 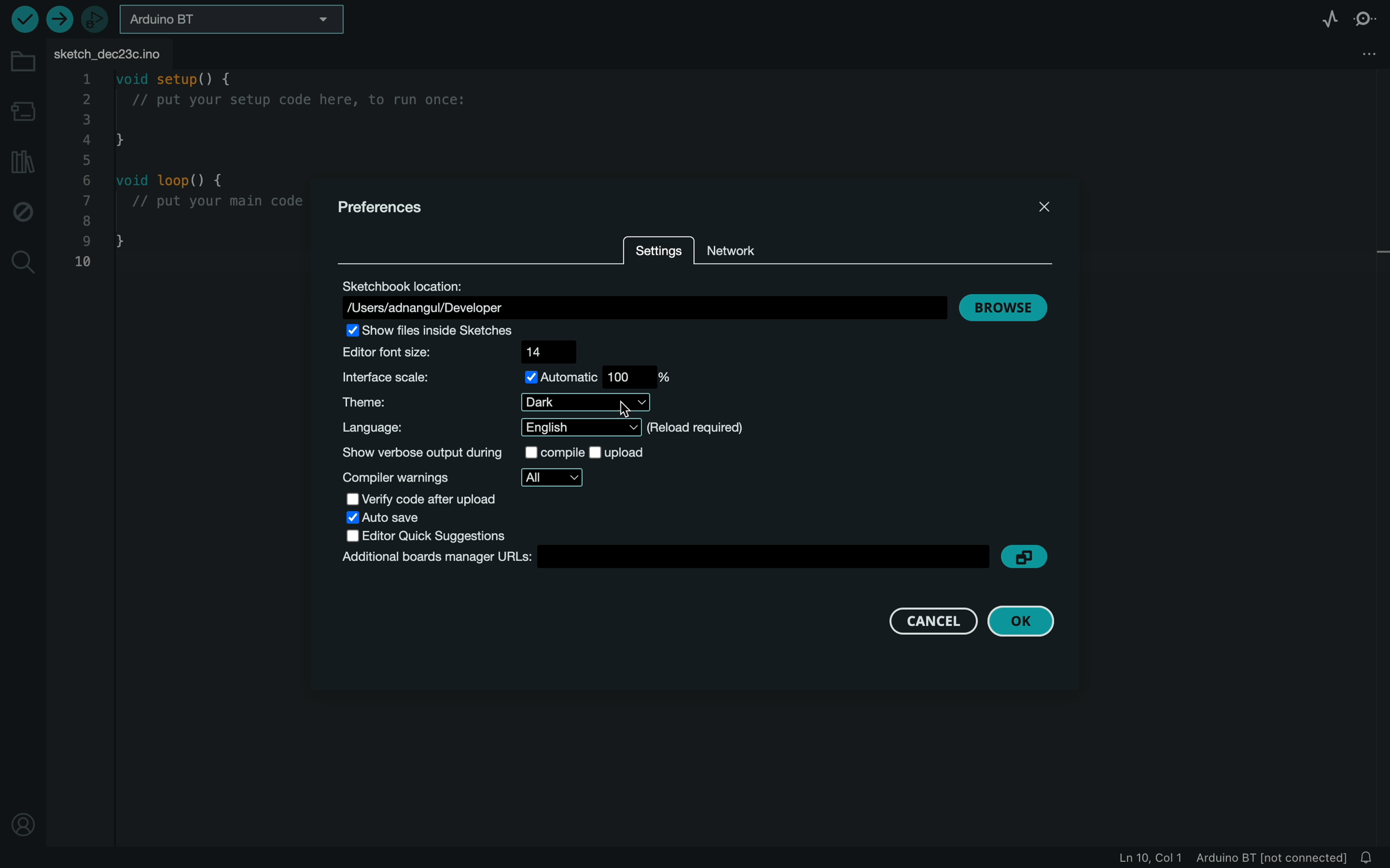 What do you see at coordinates (21, 162) in the screenshot?
I see `library manger` at bounding box center [21, 162].